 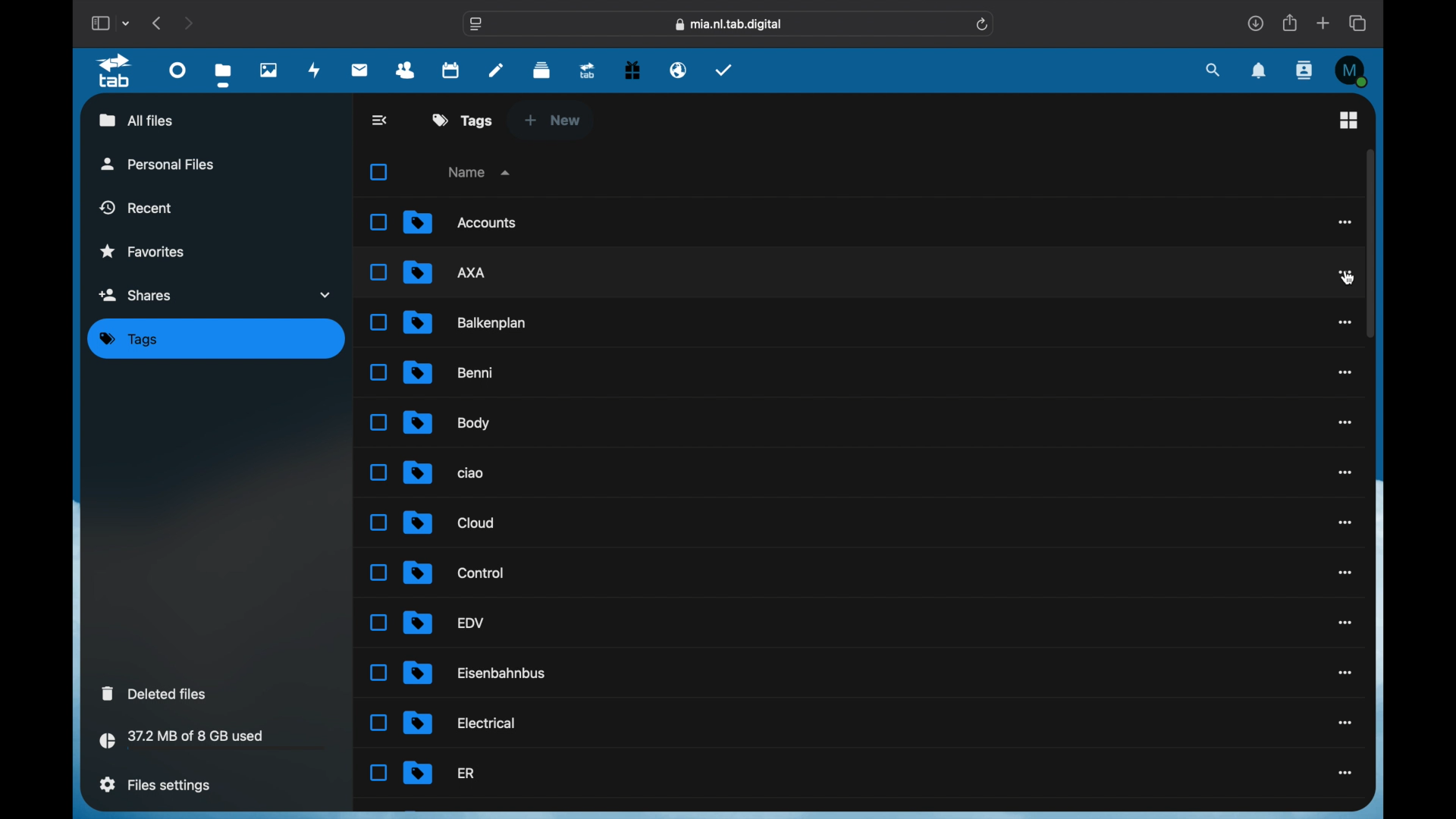 What do you see at coordinates (378, 323) in the screenshot?
I see `Unselected Checkbox` at bounding box center [378, 323].